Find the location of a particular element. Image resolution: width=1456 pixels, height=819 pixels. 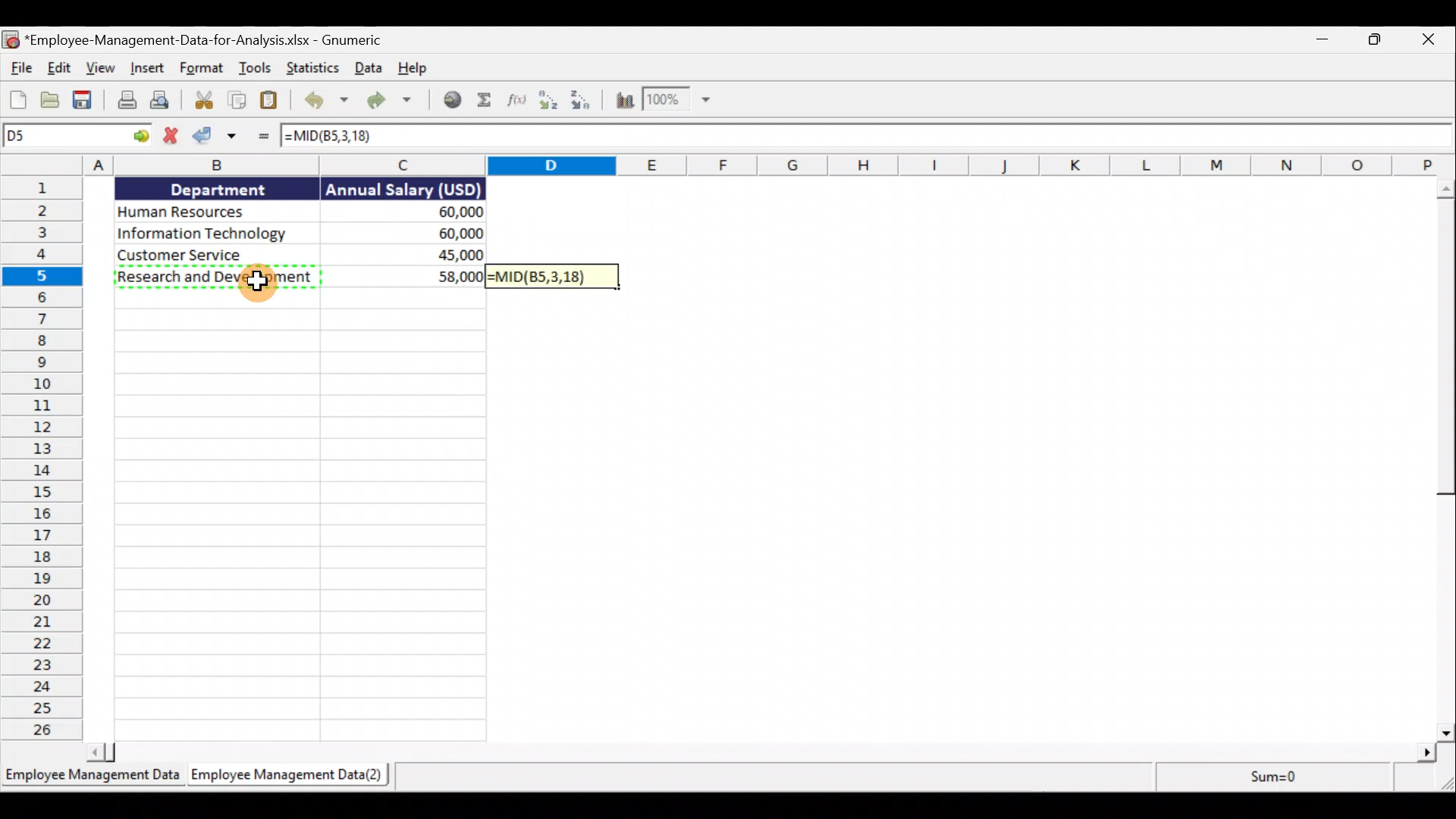

Cell allocation is located at coordinates (75, 136).